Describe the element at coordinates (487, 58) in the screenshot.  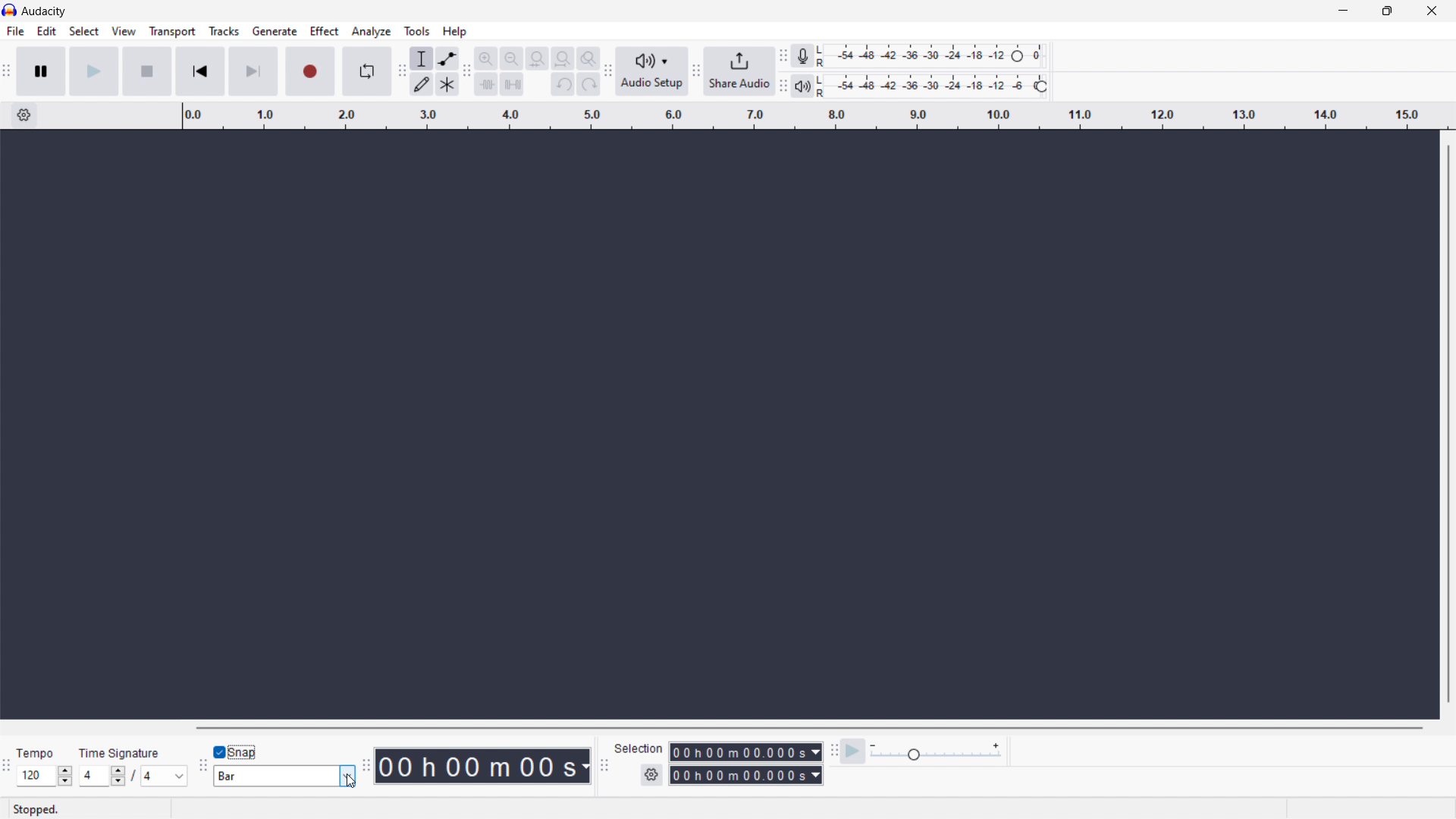
I see `zoom in` at that location.